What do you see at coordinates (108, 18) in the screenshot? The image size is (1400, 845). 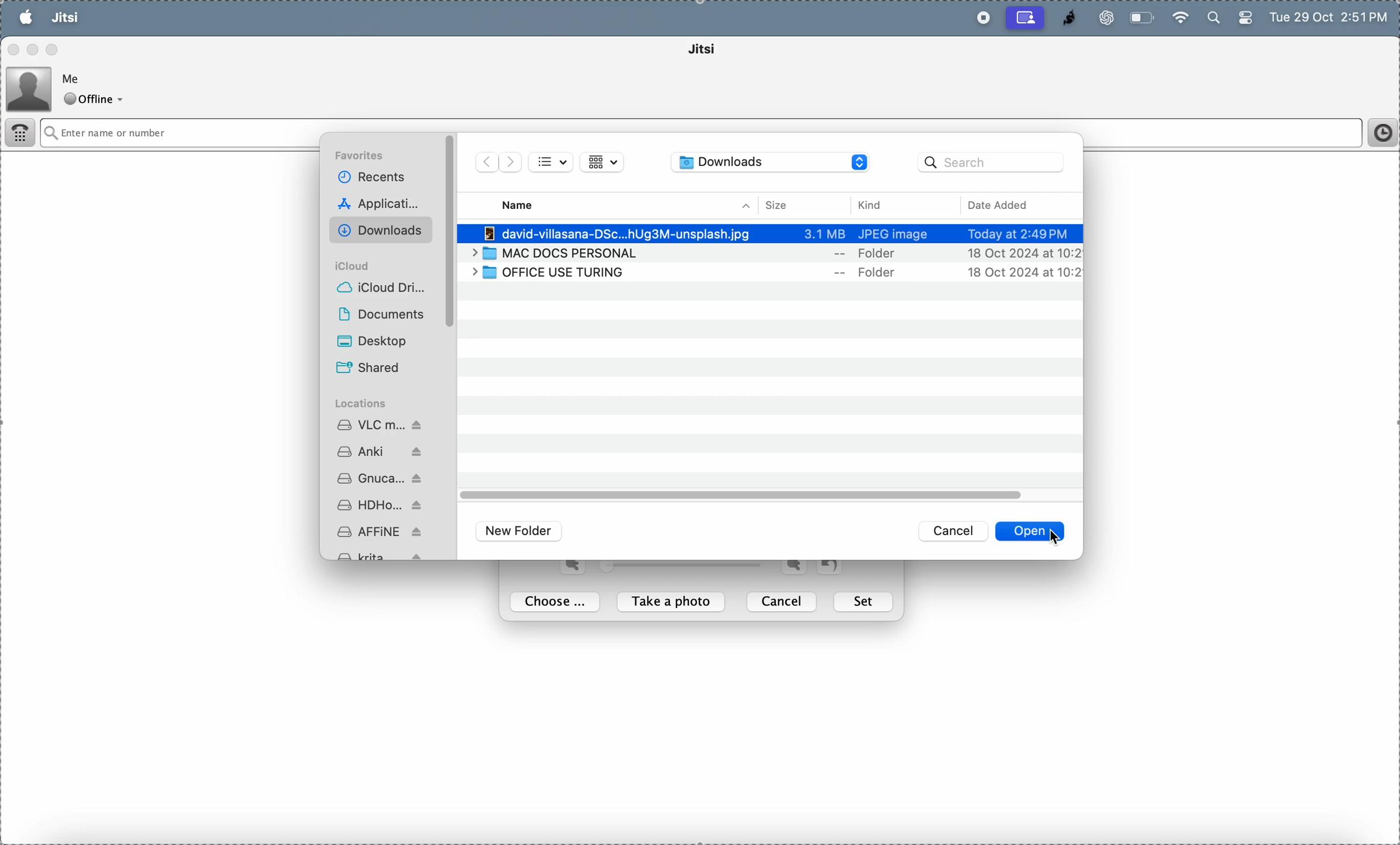 I see `file` at bounding box center [108, 18].